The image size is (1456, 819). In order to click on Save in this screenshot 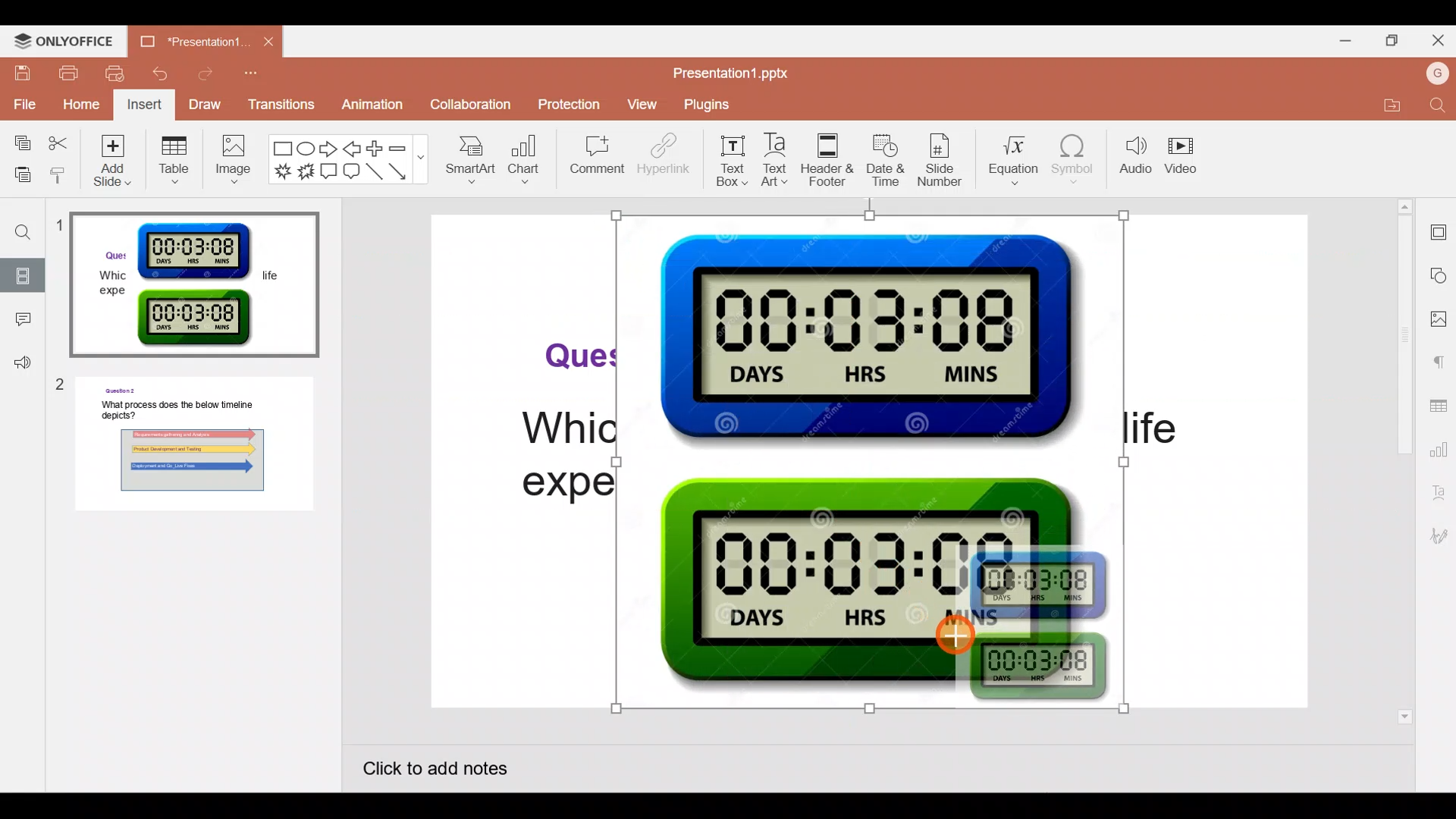, I will do `click(24, 76)`.